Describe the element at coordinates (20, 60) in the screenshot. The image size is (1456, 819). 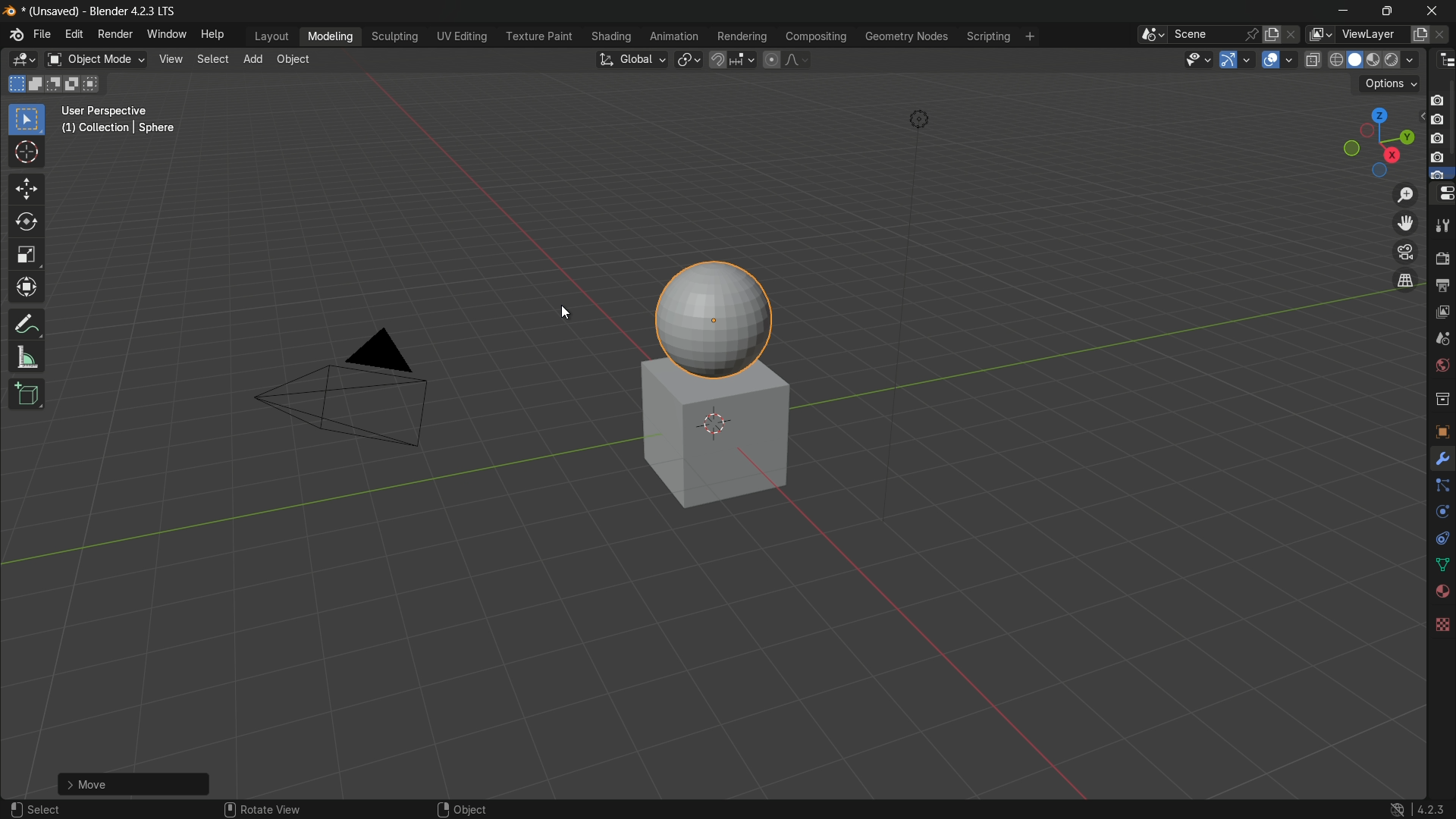
I see `3d viewport` at that location.